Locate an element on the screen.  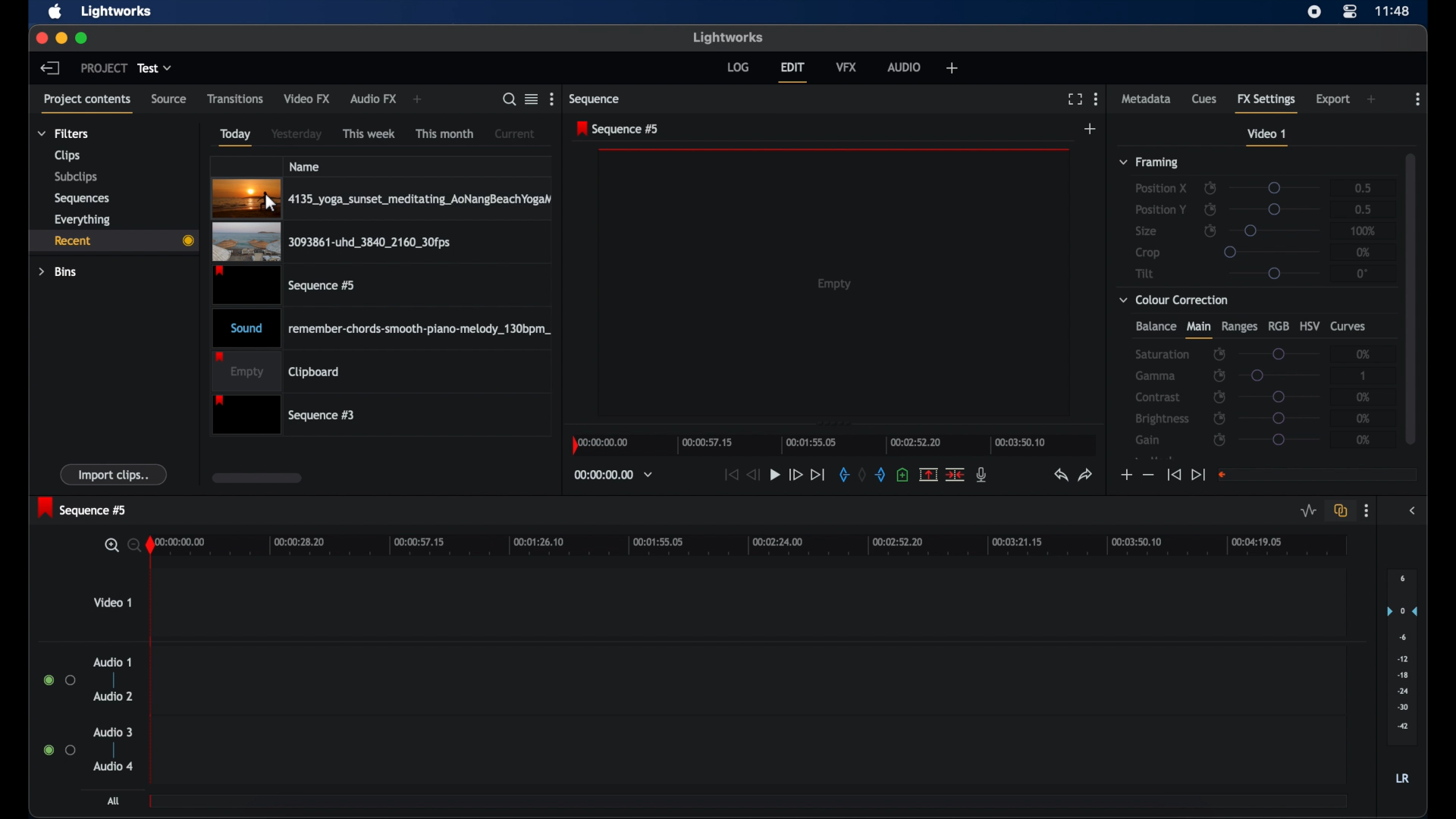
slider is located at coordinates (1274, 273).